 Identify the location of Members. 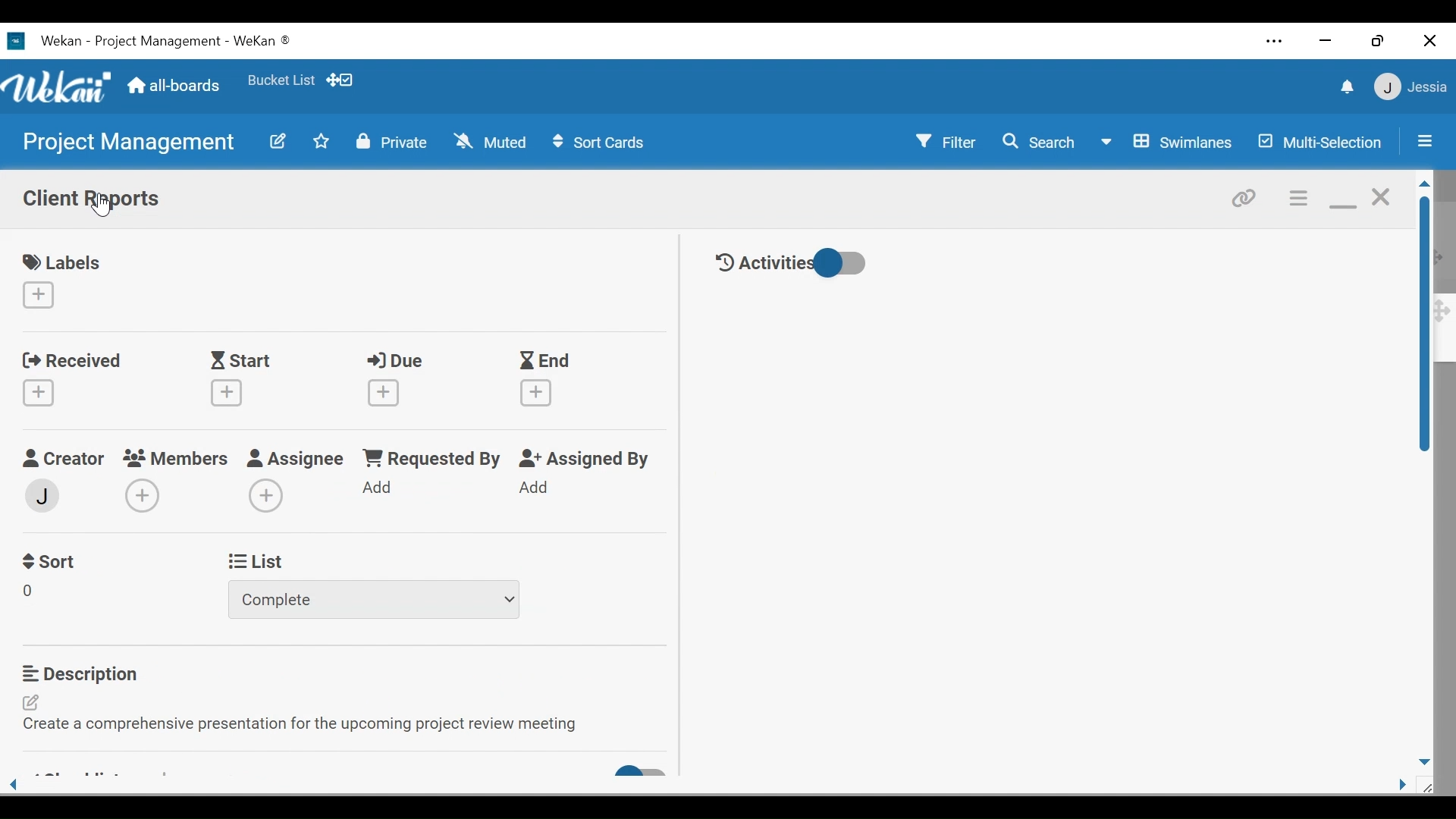
(177, 457).